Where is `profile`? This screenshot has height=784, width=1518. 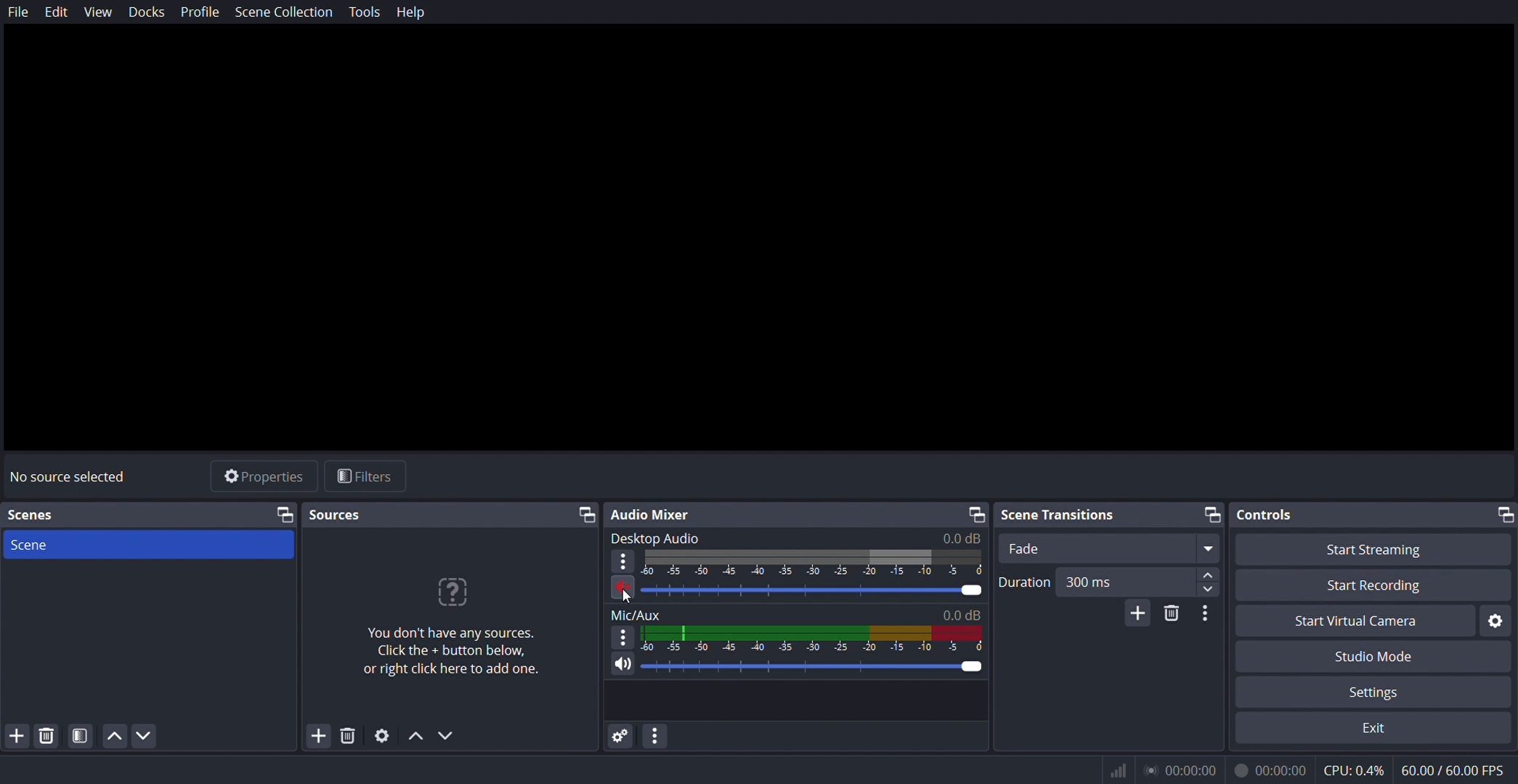
profile is located at coordinates (201, 11).